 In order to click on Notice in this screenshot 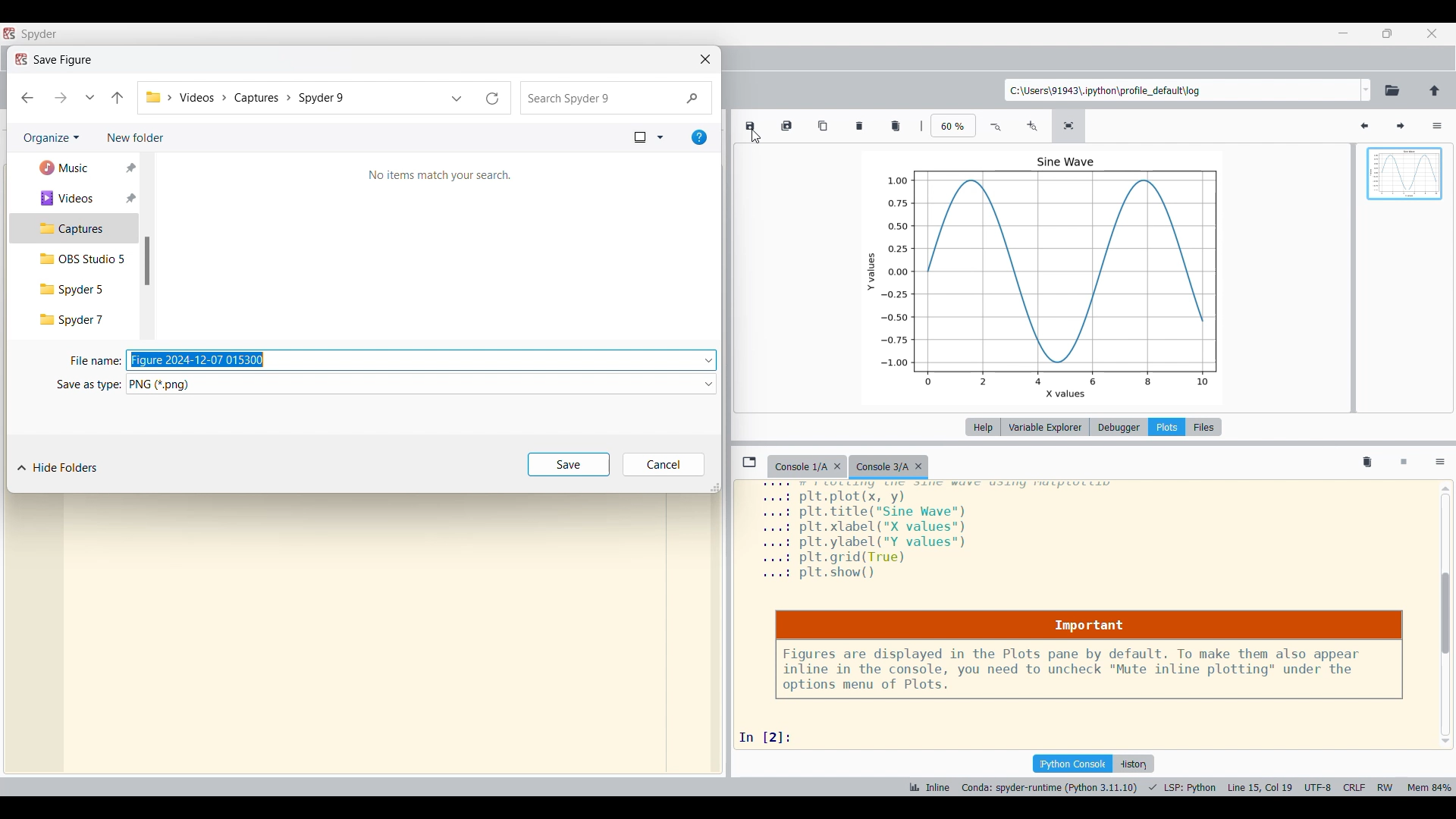, I will do `click(1089, 655)`.